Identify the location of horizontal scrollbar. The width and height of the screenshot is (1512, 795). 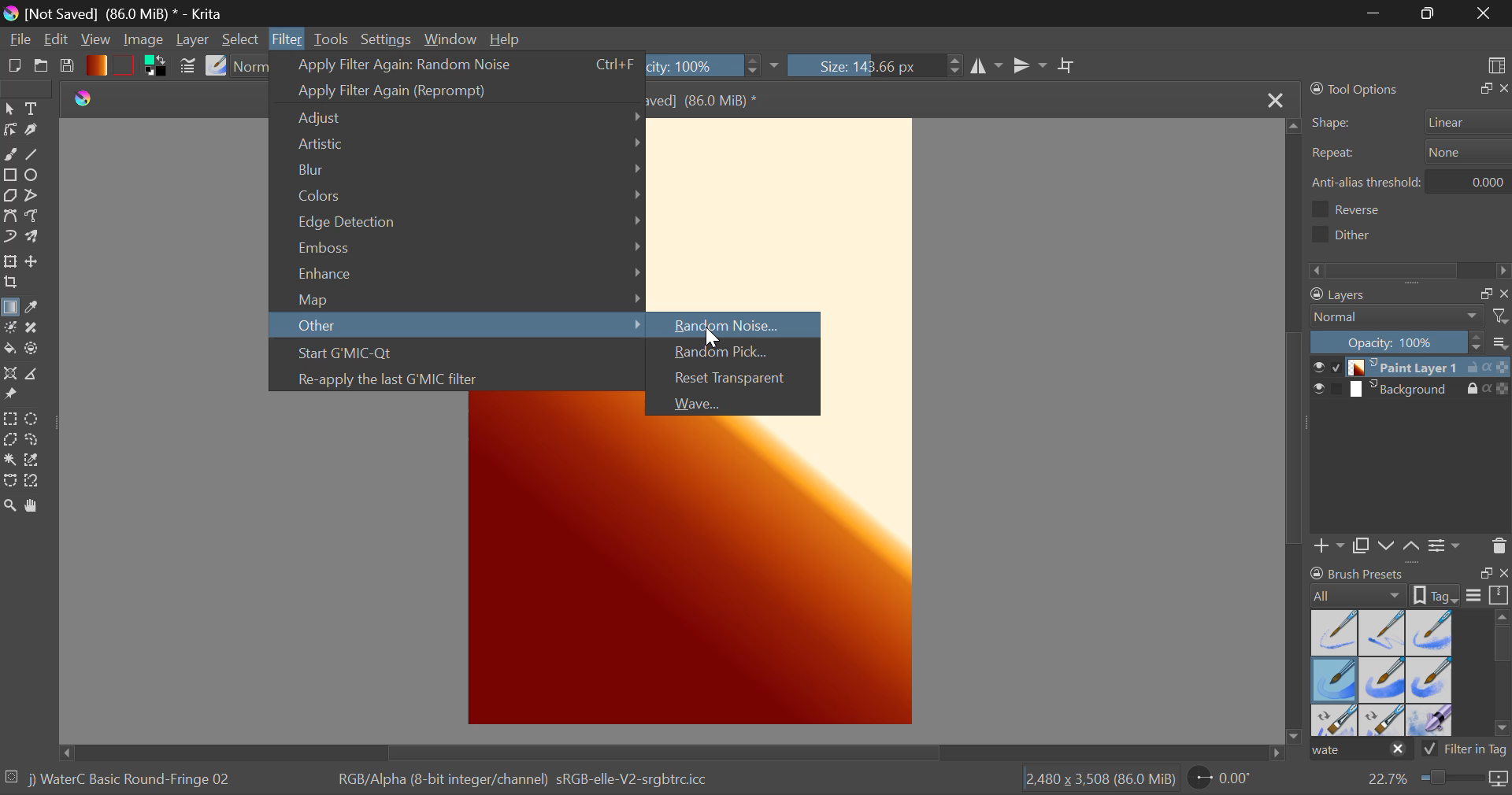
(1411, 269).